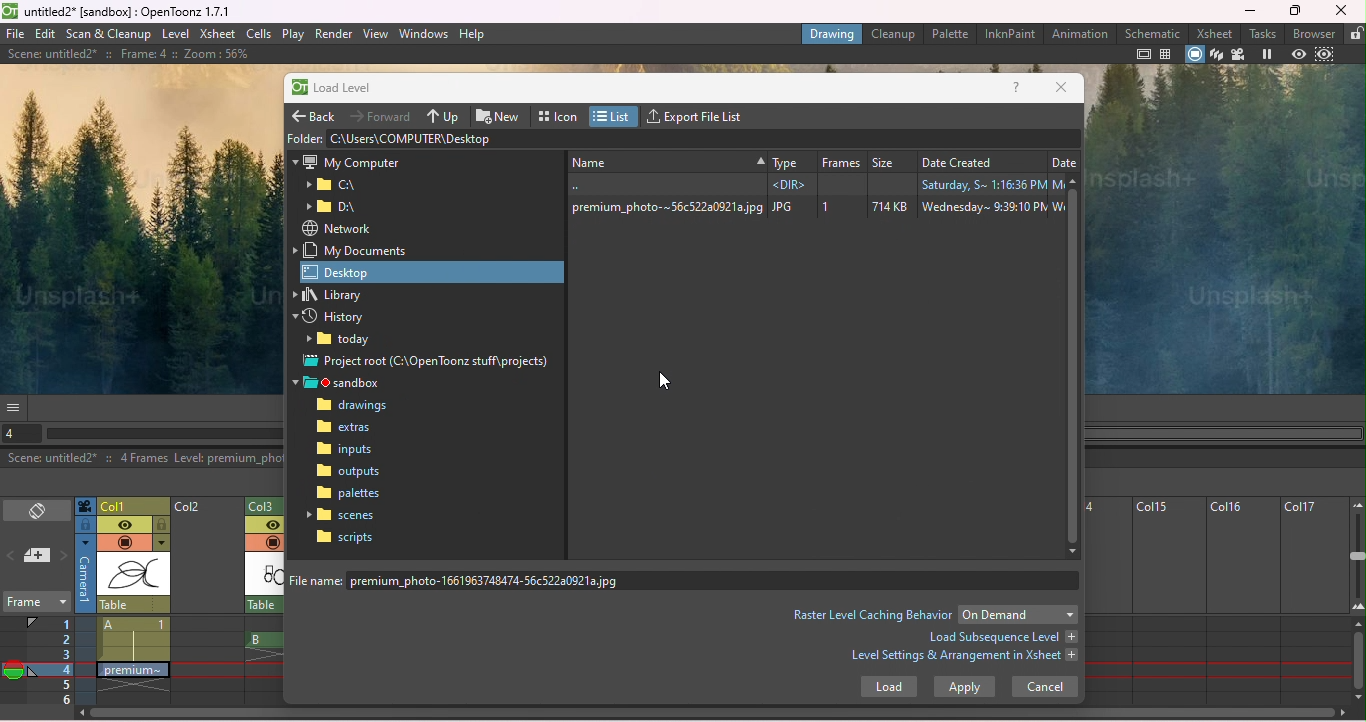 The image size is (1366, 722). I want to click on New memo, so click(38, 557).